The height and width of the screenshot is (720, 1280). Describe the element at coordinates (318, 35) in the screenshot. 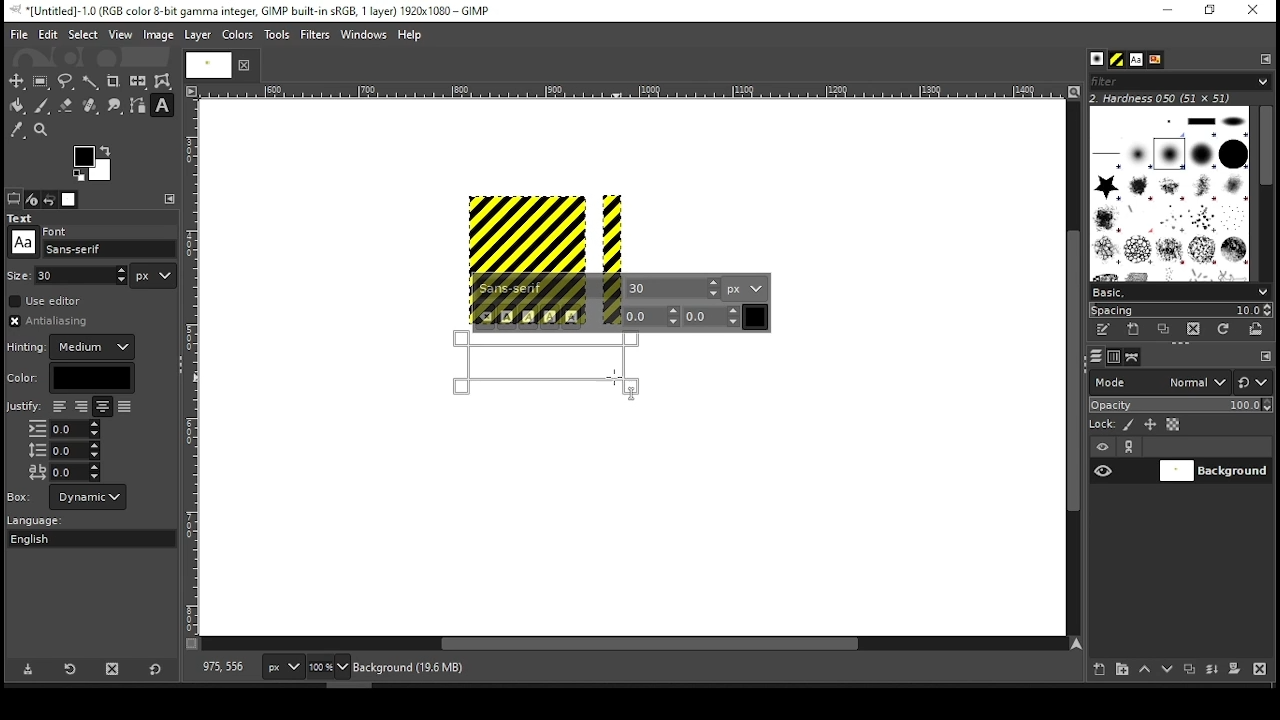

I see `filters` at that location.